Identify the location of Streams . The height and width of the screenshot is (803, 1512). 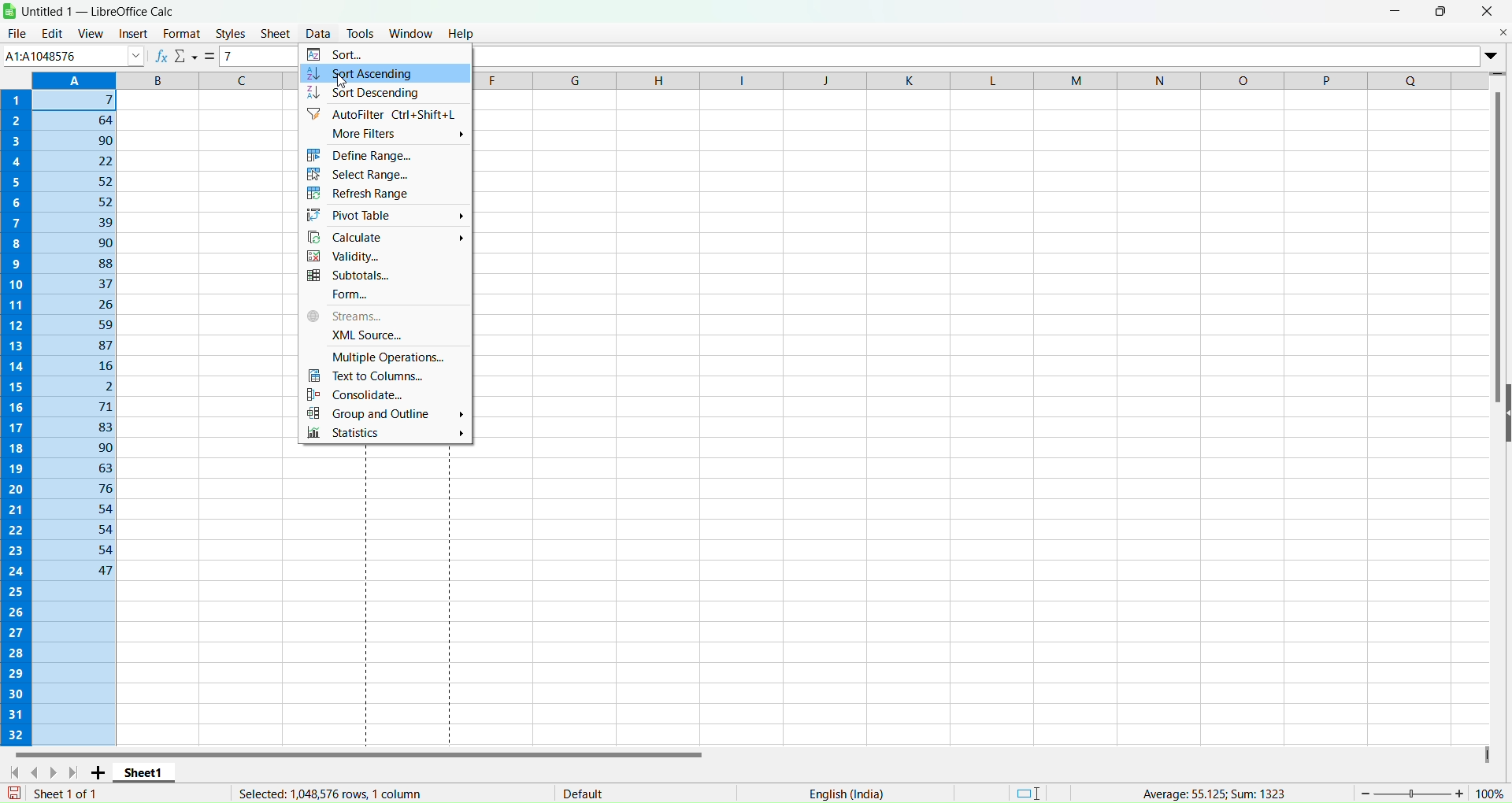
(383, 316).